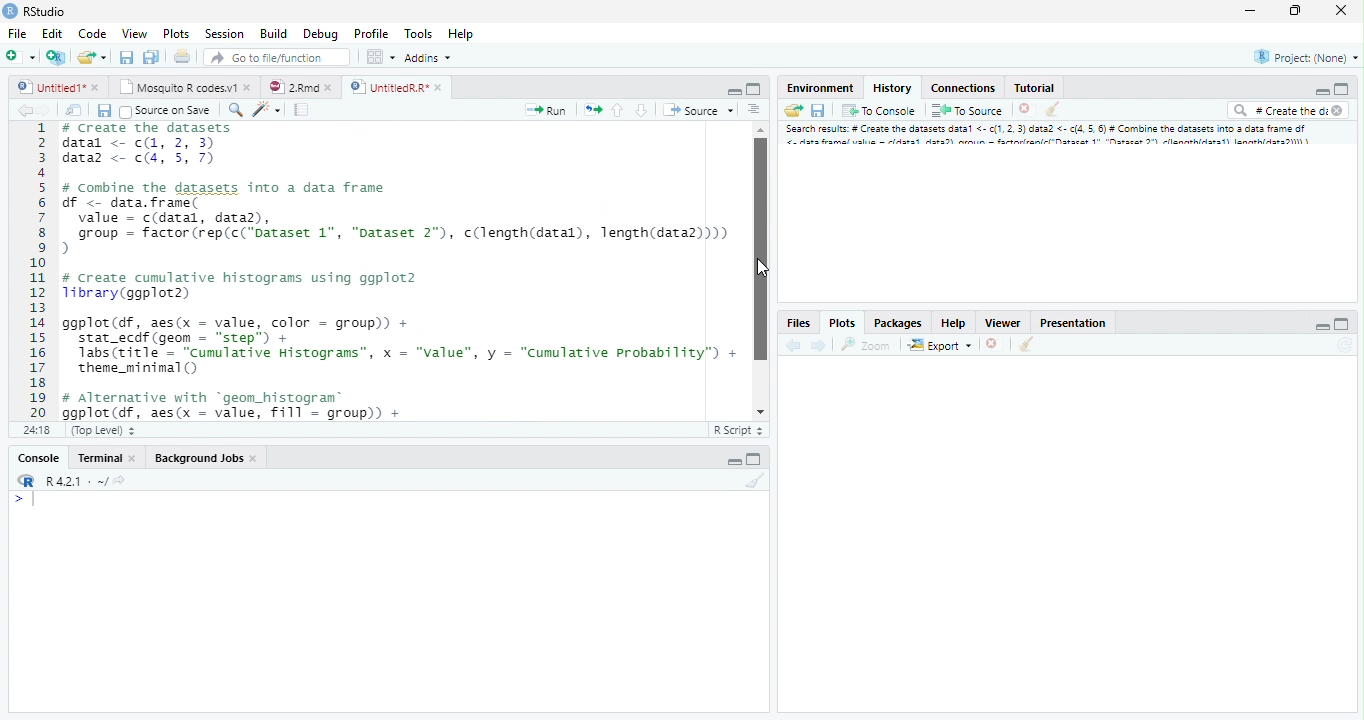 Image resolution: width=1364 pixels, height=720 pixels. Describe the element at coordinates (61, 85) in the screenshot. I see `Untitled` at that location.